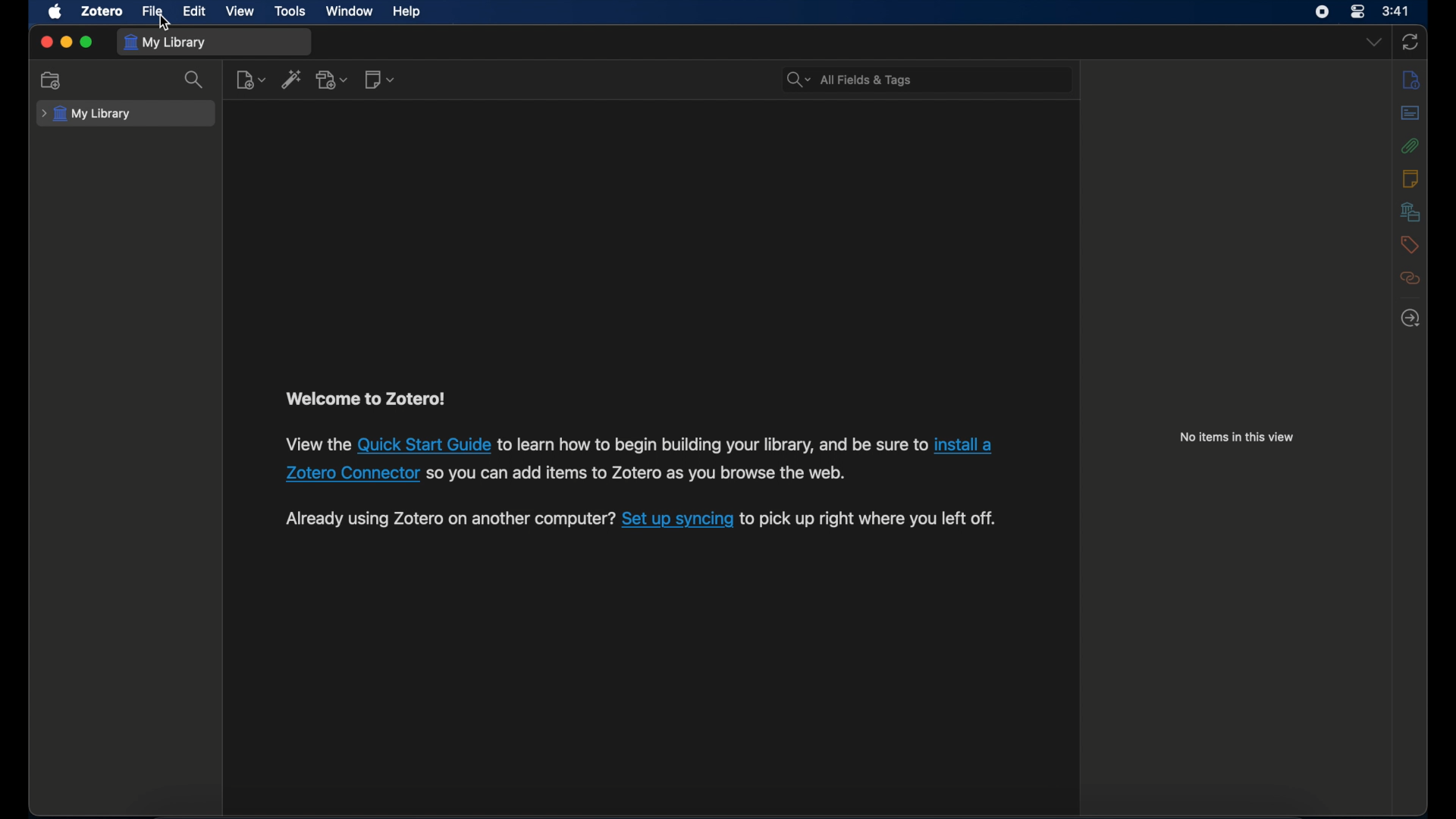  Describe the element at coordinates (1373, 42) in the screenshot. I see `dropdown` at that location.